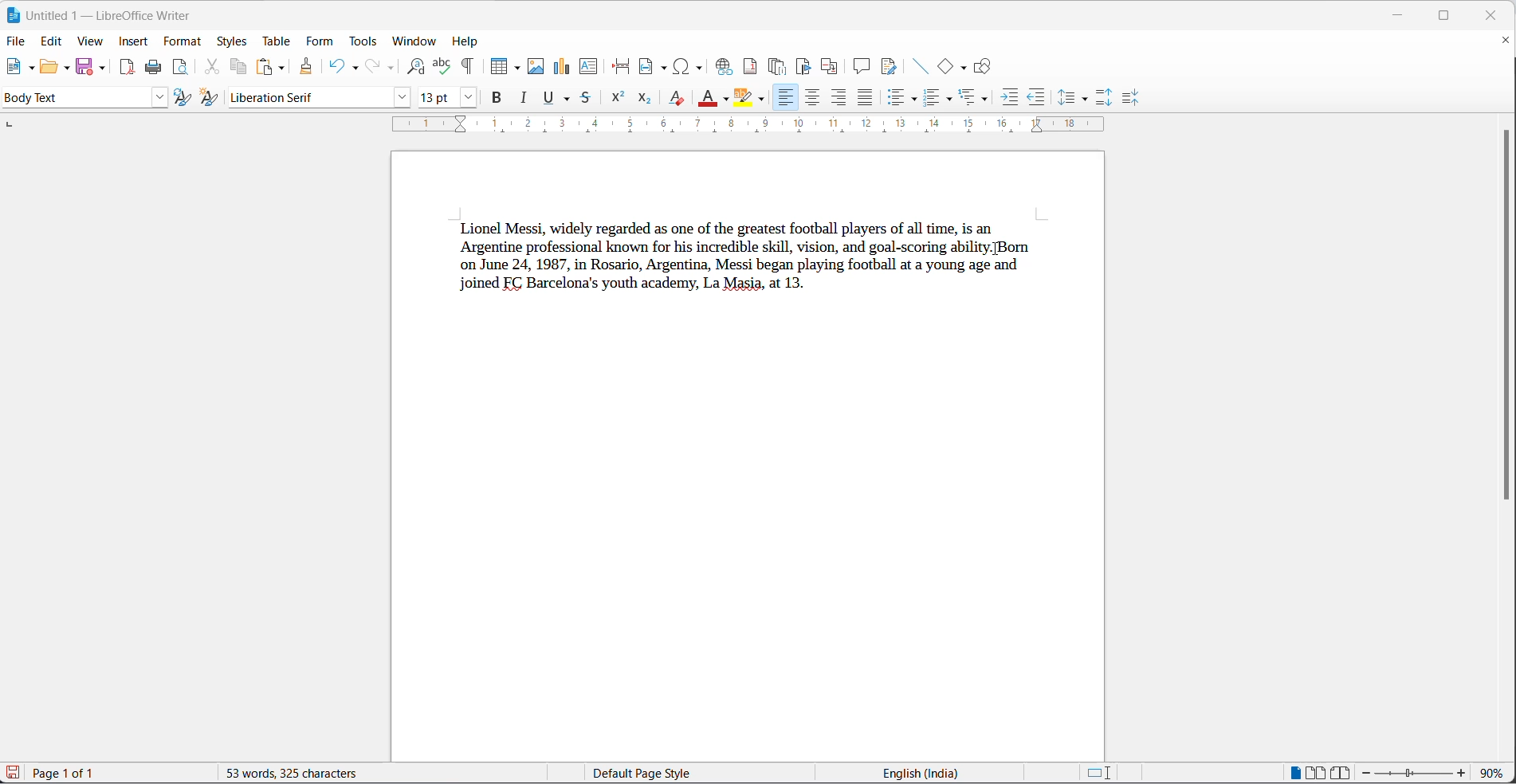 Image resolution: width=1516 pixels, height=784 pixels. Describe the element at coordinates (1463, 774) in the screenshot. I see `zoom increase` at that location.